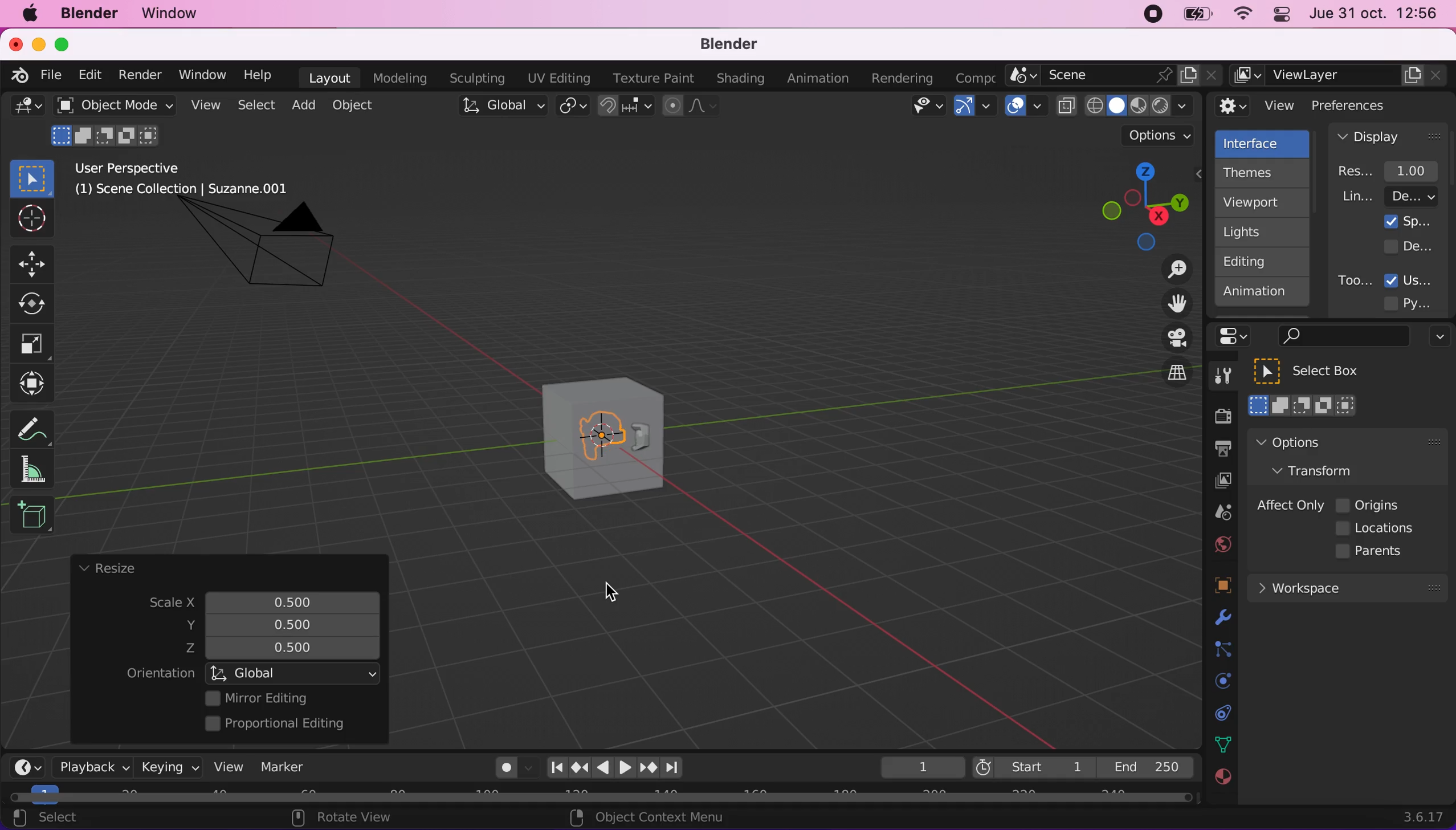  I want to click on options, so click(1437, 338).